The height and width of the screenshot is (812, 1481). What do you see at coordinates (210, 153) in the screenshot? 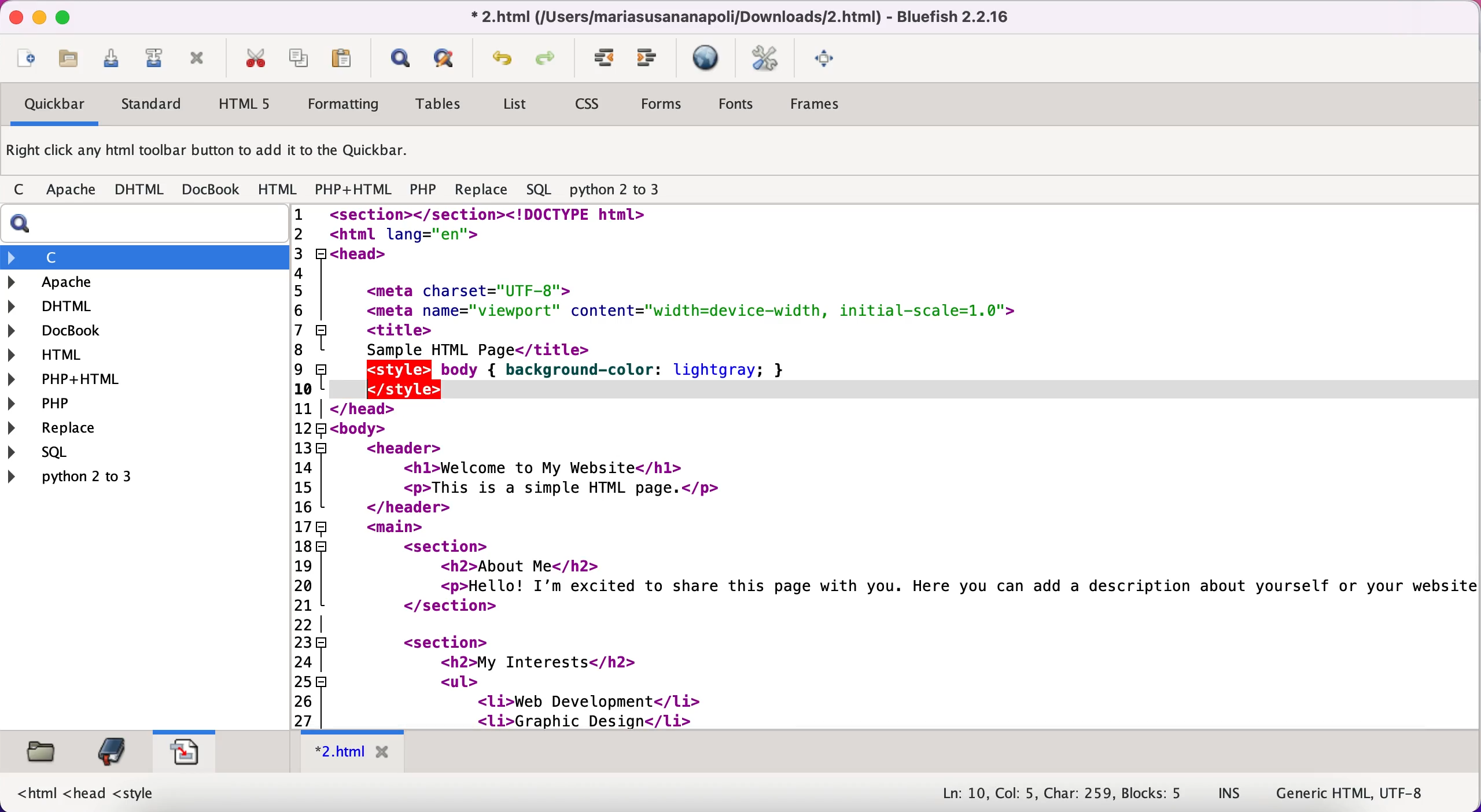
I see `right click any html toolbar button to add it to the quickbar.` at bounding box center [210, 153].